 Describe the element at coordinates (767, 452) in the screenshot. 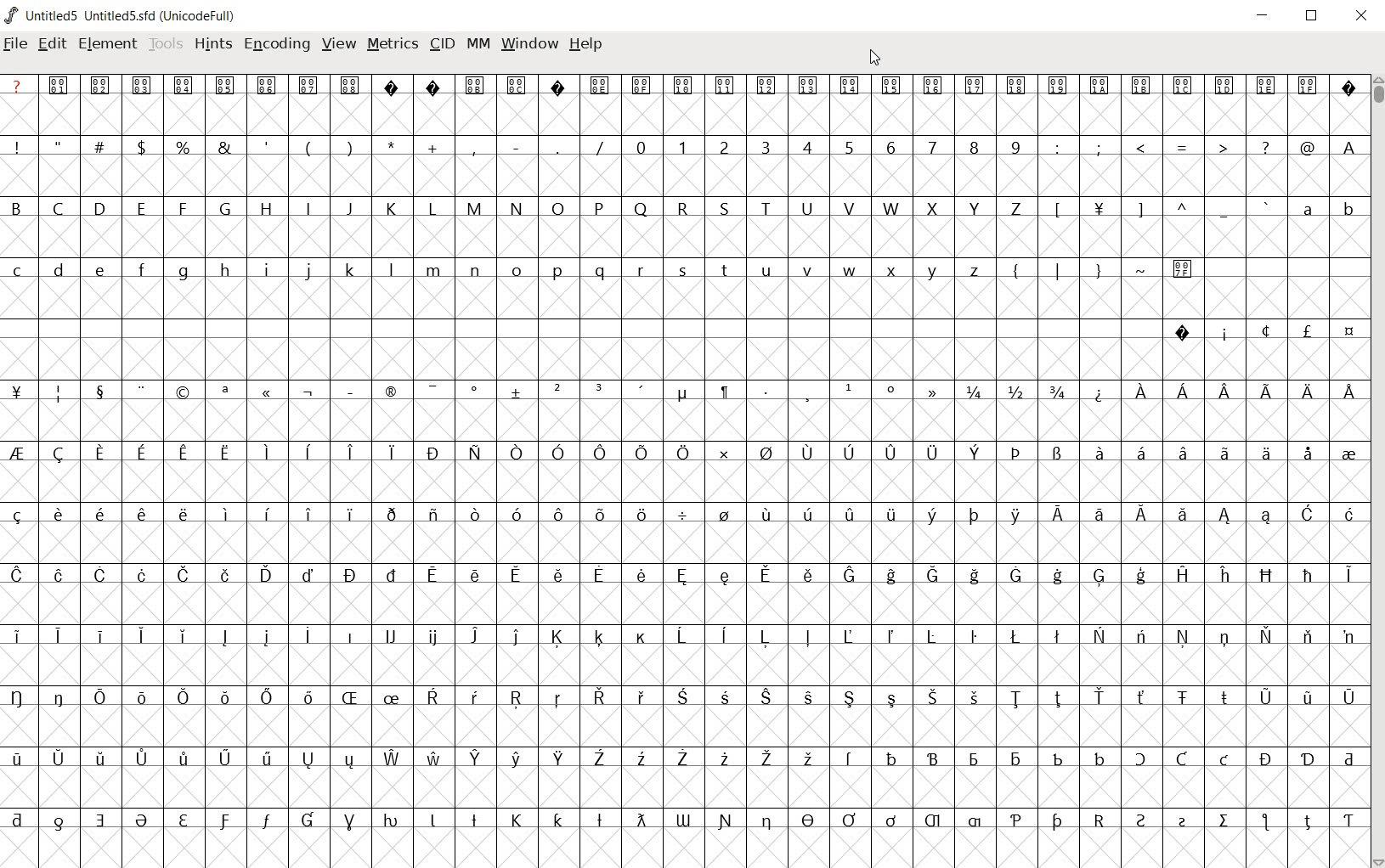

I see `Symbol` at that location.